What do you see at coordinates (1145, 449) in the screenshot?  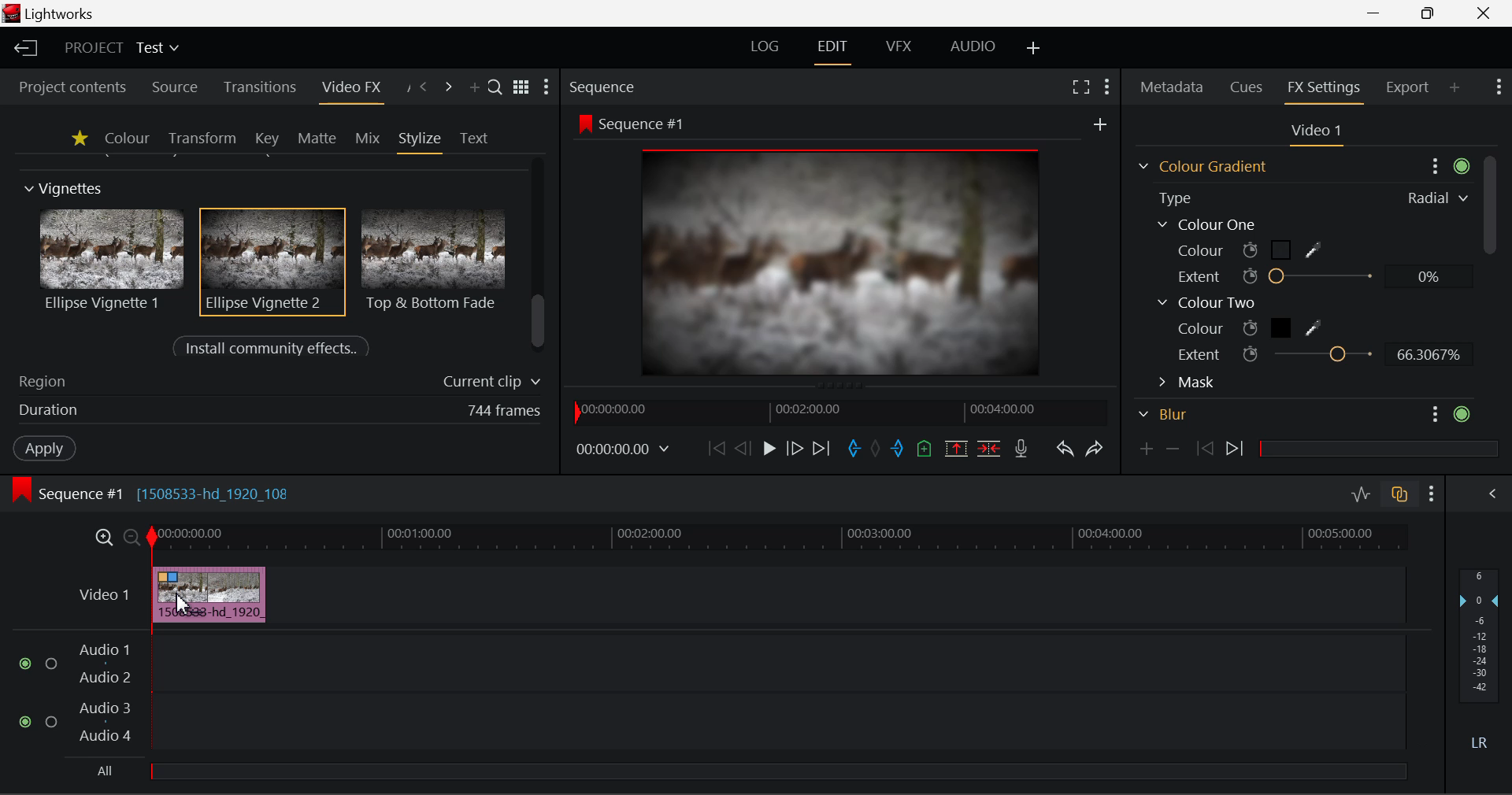 I see `Add keyframe` at bounding box center [1145, 449].